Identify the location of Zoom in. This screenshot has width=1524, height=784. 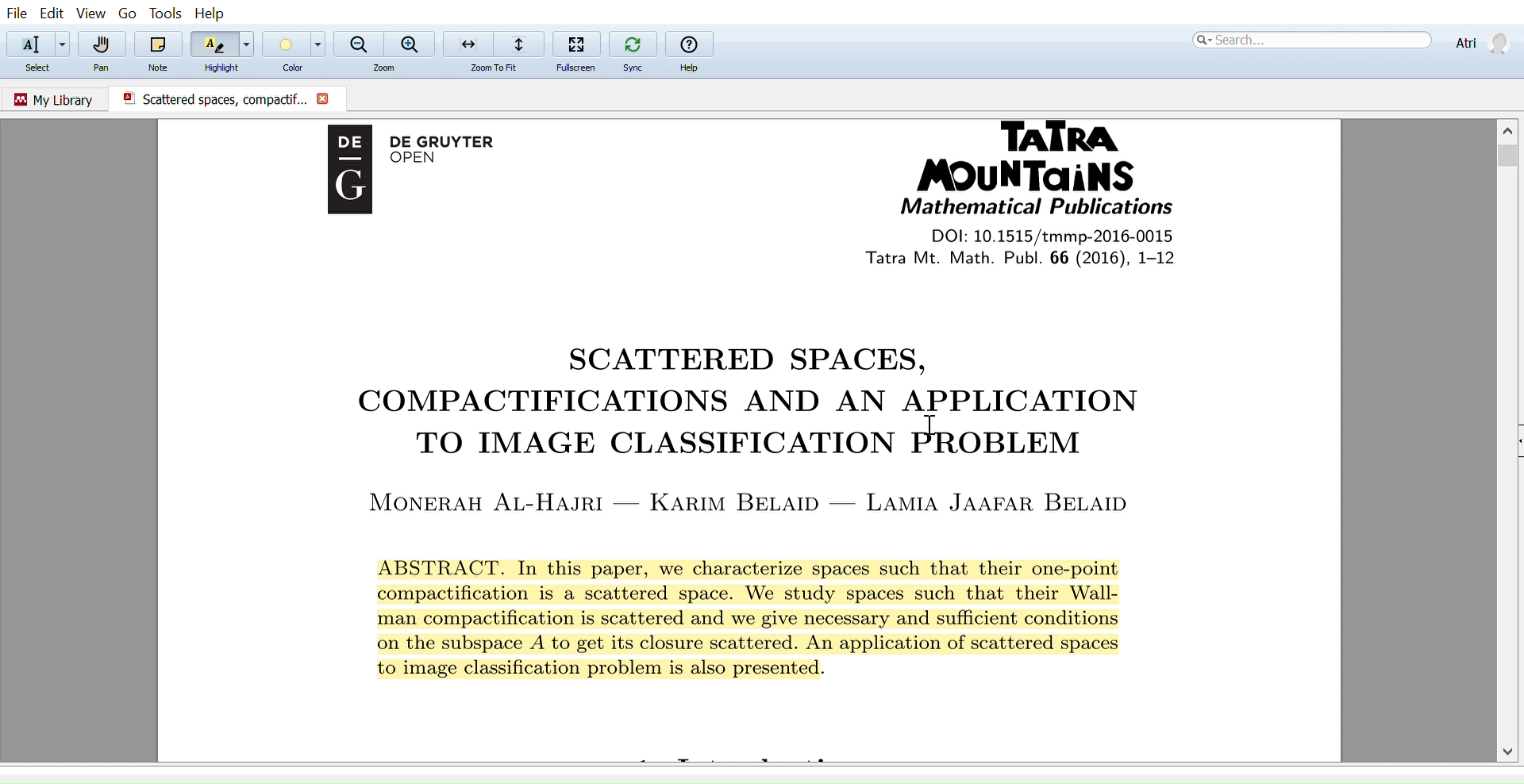
(411, 44).